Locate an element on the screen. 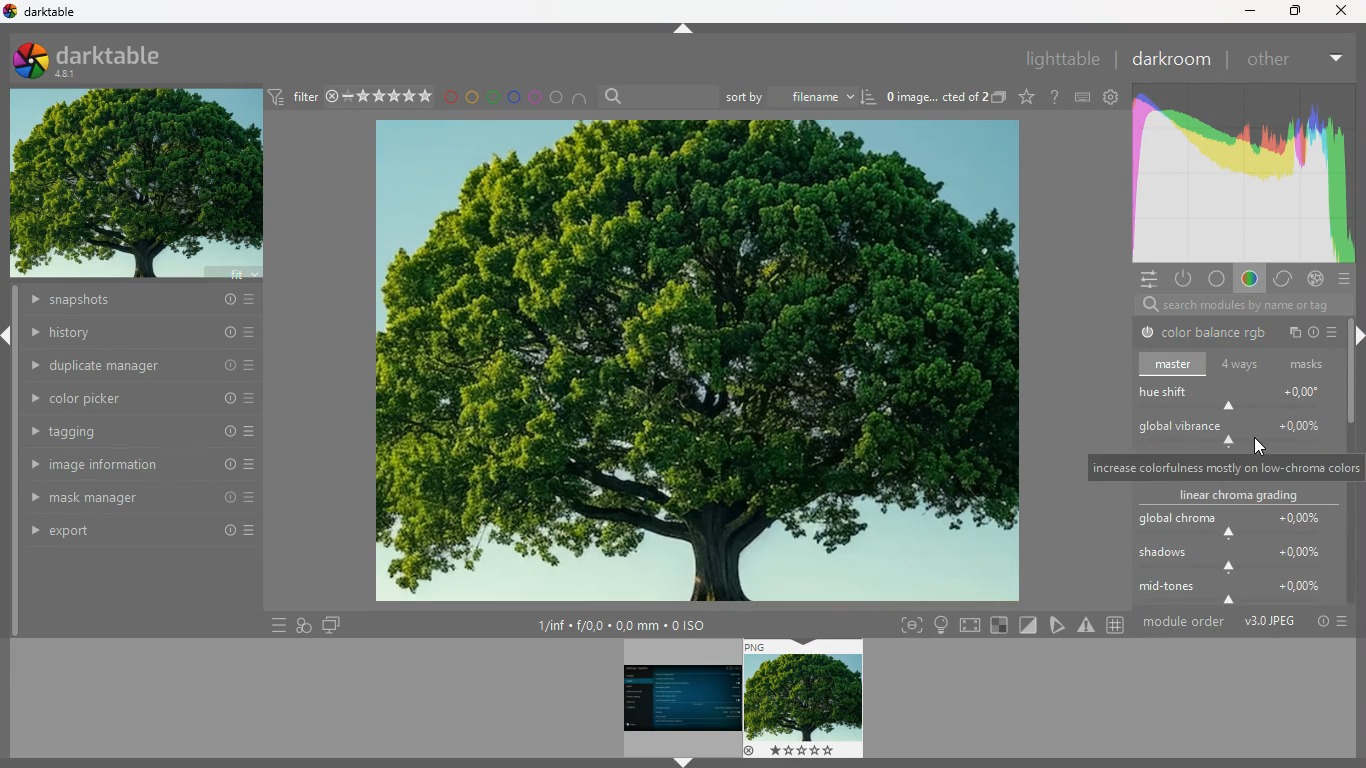 This screenshot has width=1366, height=768. arrow is located at coordinates (9, 335).